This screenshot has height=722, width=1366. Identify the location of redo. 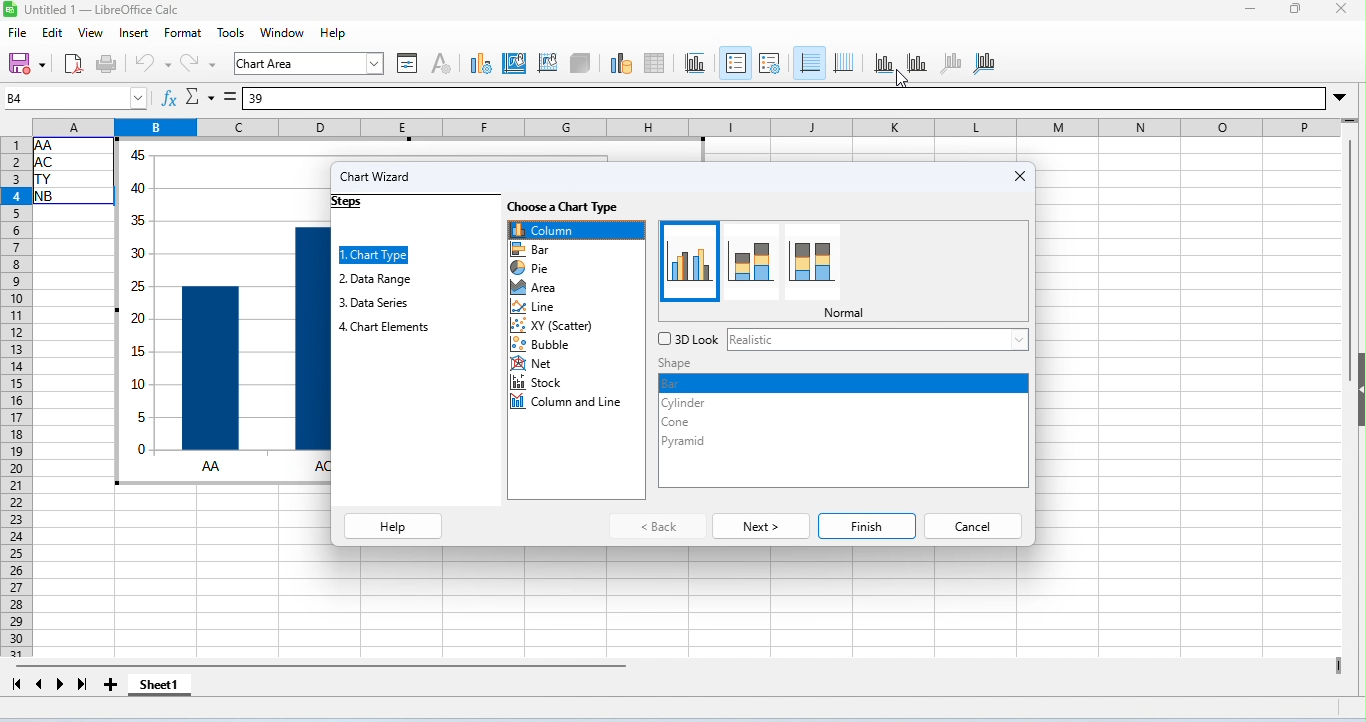
(199, 61).